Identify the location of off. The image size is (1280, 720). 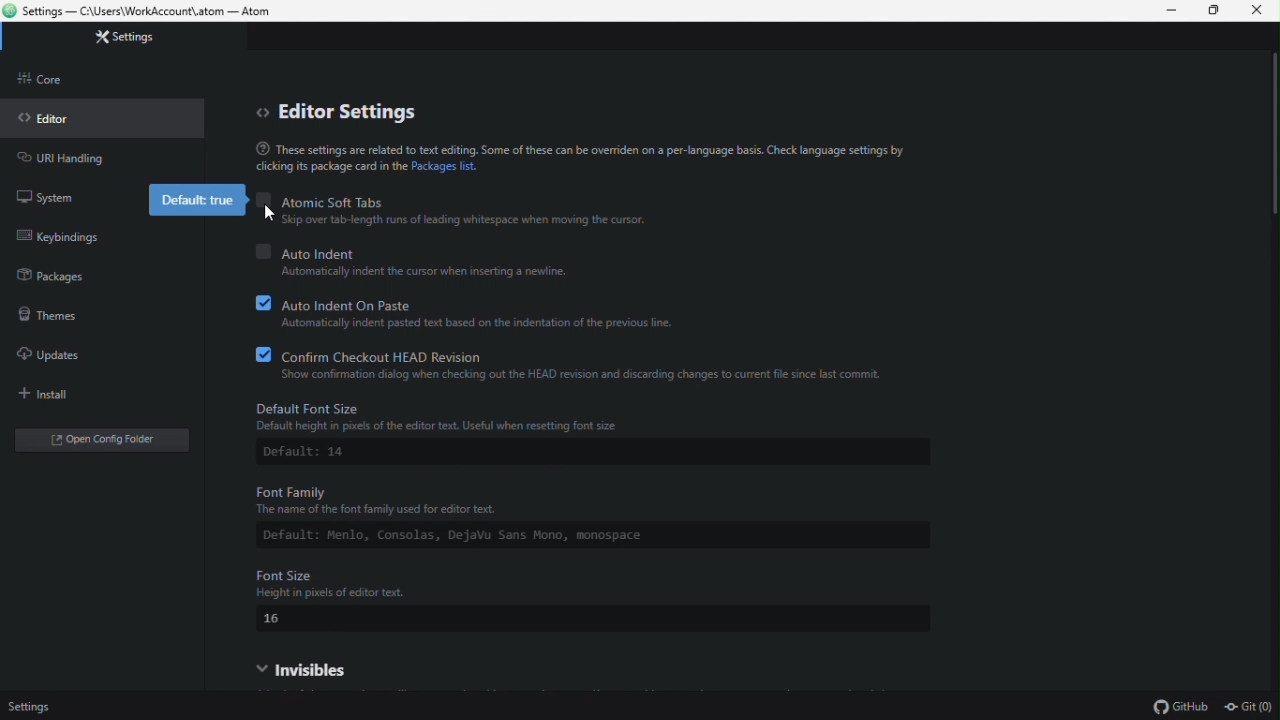
(264, 197).